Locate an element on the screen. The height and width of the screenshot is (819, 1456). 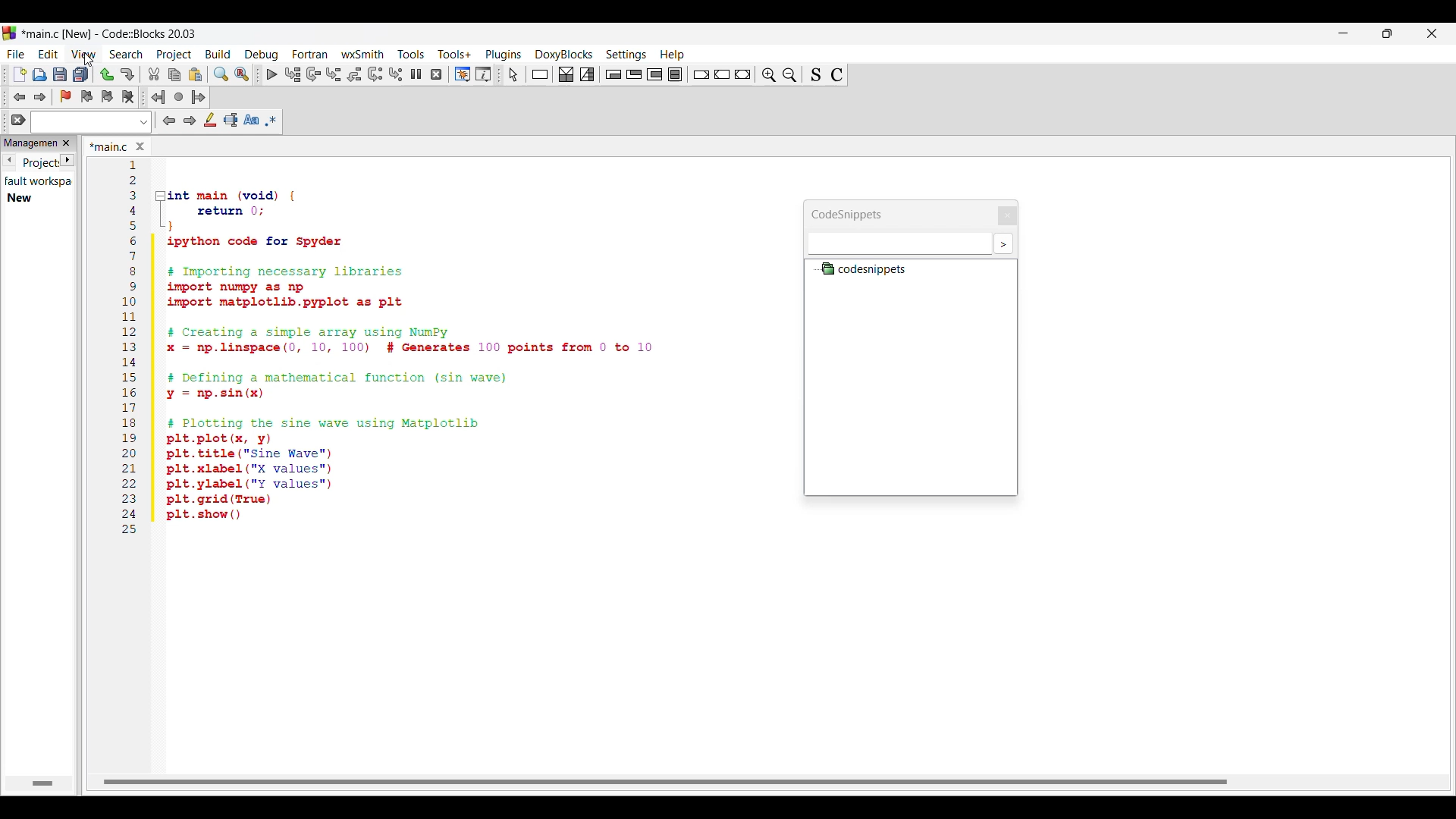
Tools menu is located at coordinates (411, 55).